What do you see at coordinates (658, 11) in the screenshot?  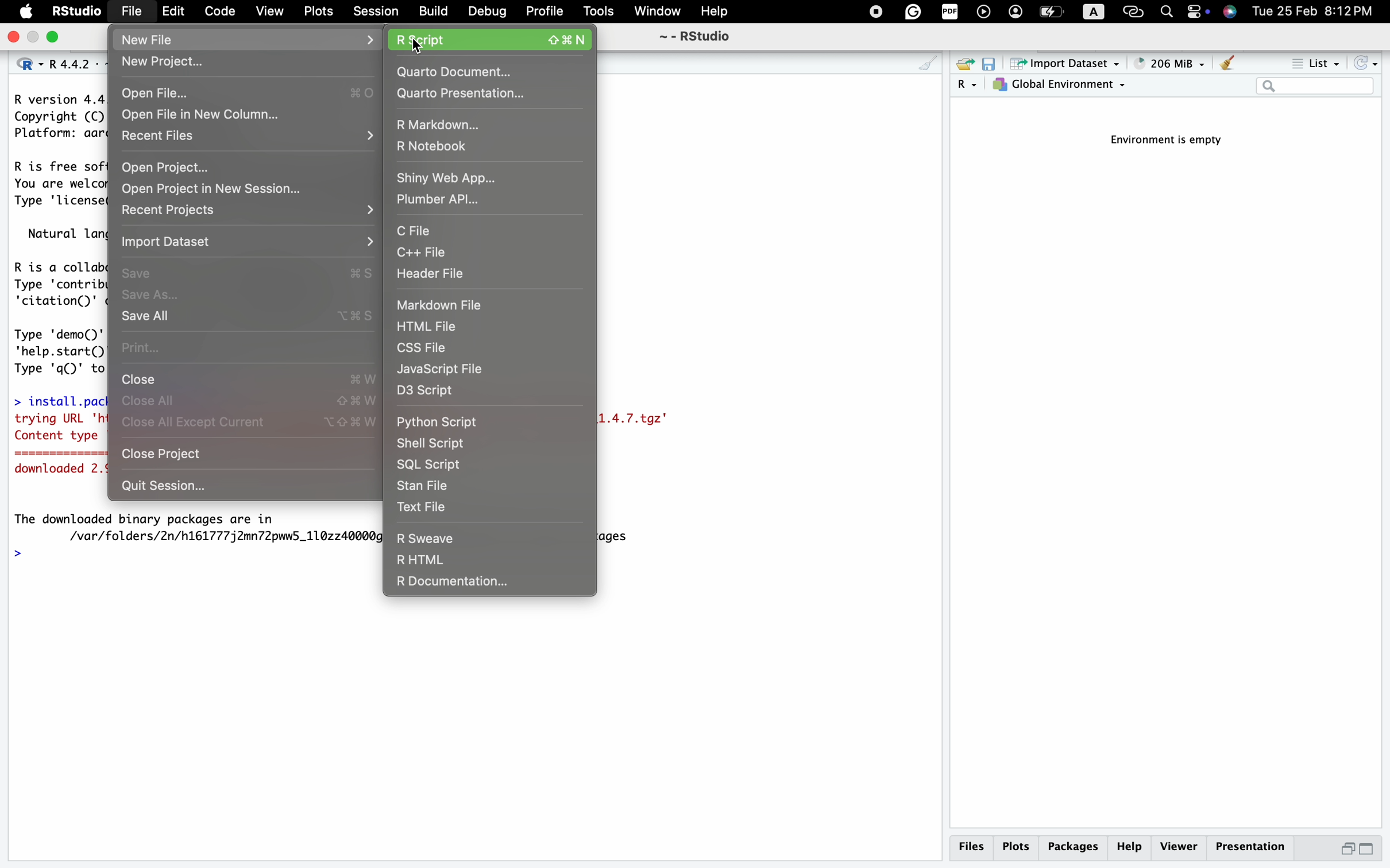 I see `window` at bounding box center [658, 11].